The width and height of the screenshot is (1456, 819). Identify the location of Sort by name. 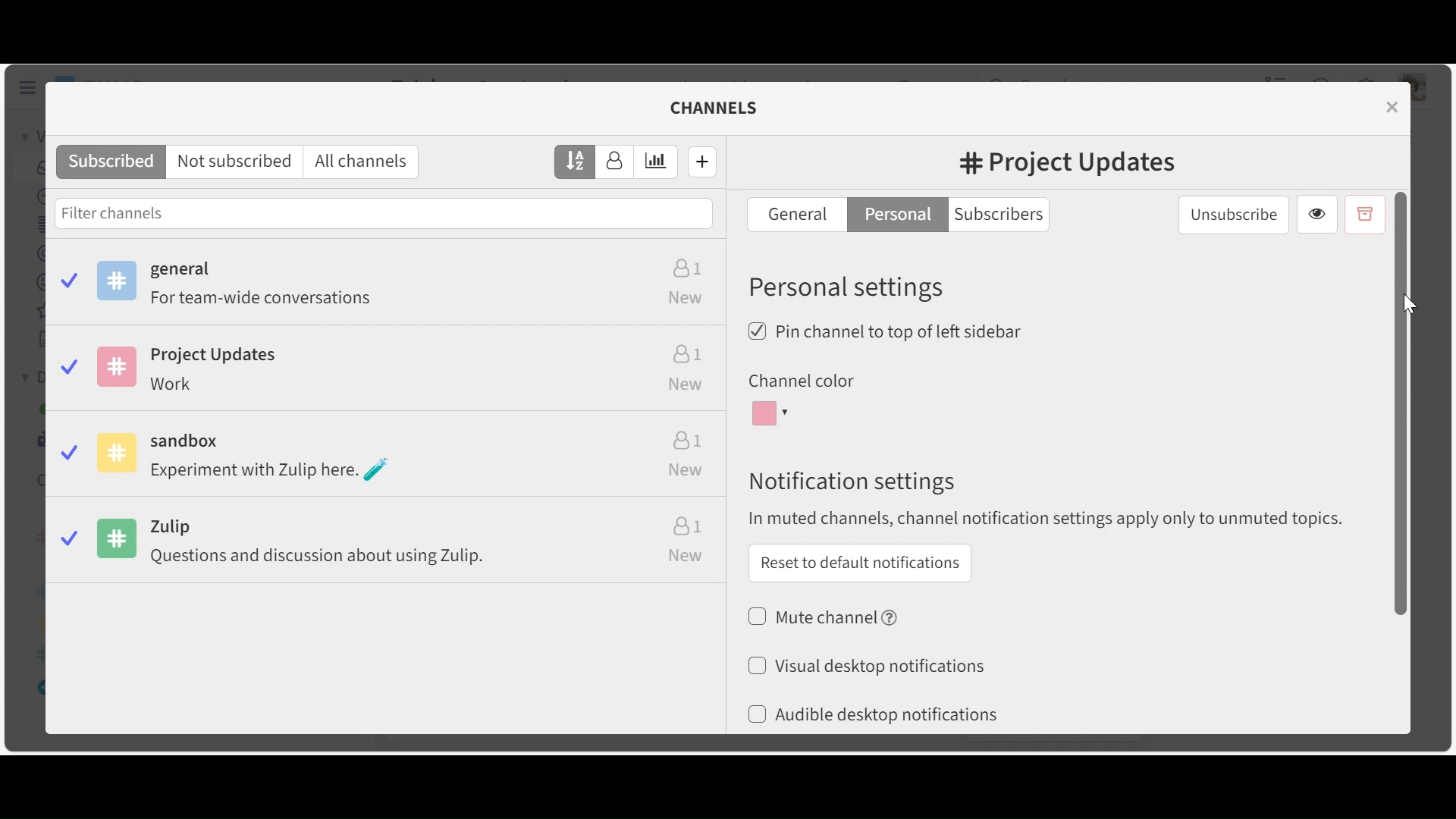
(576, 161).